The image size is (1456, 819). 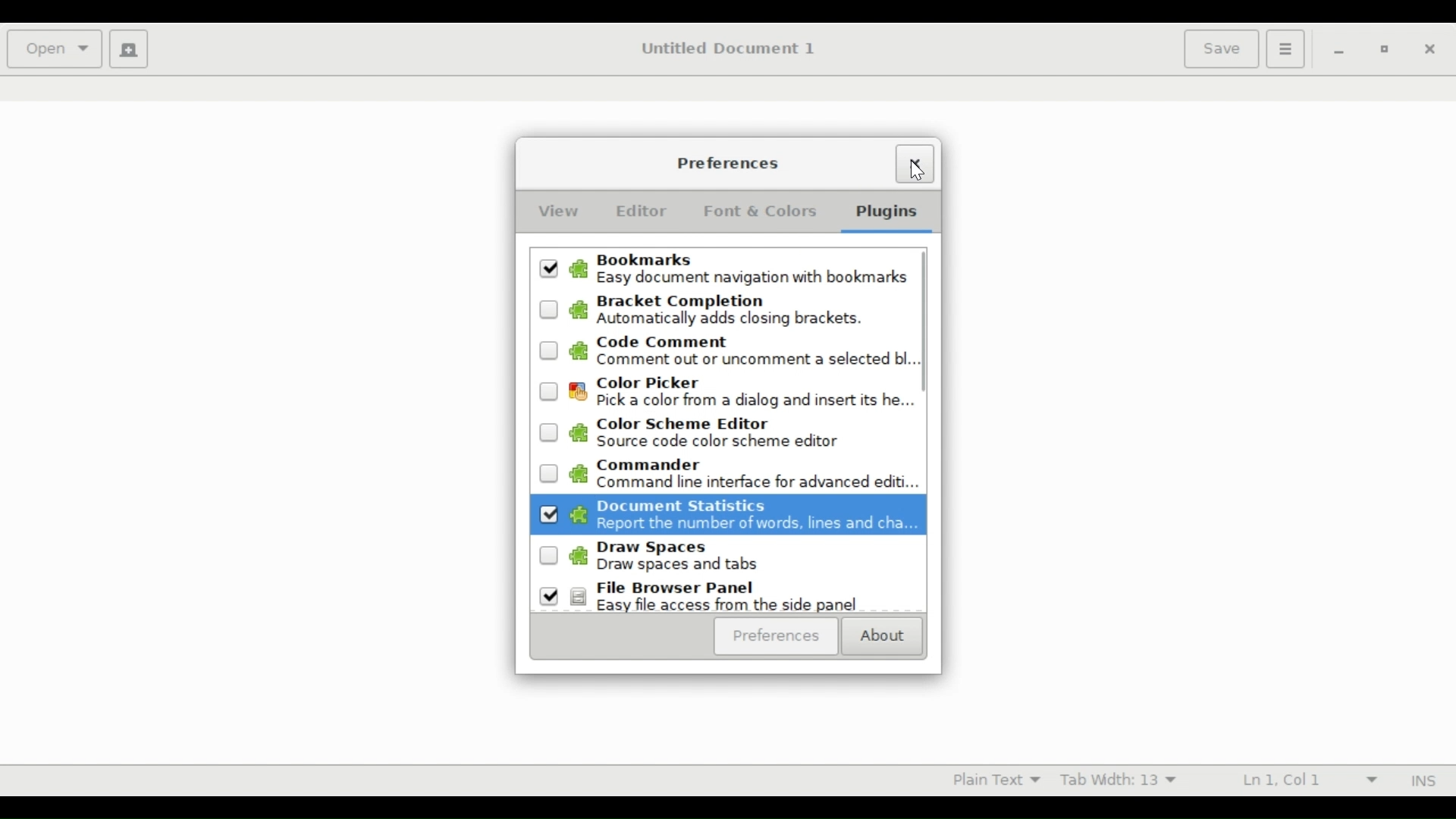 What do you see at coordinates (554, 212) in the screenshot?
I see `View` at bounding box center [554, 212].